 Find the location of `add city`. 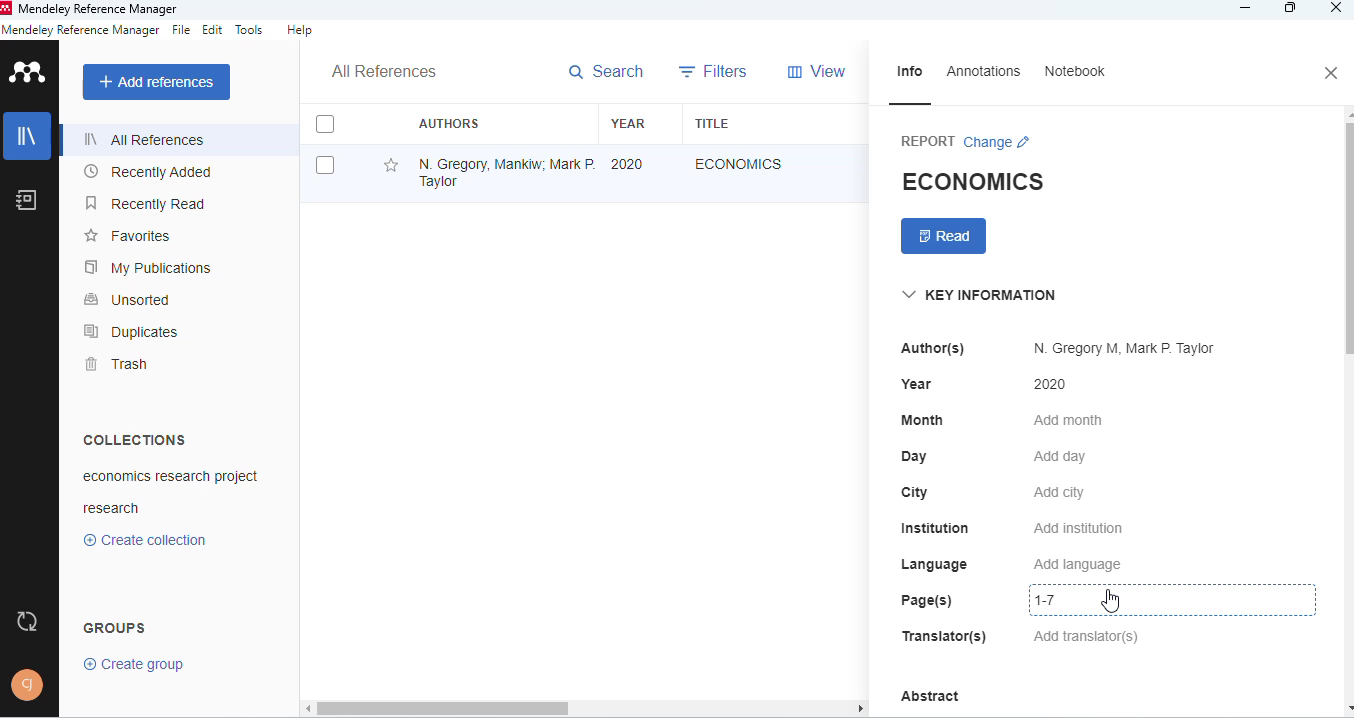

add city is located at coordinates (1060, 493).